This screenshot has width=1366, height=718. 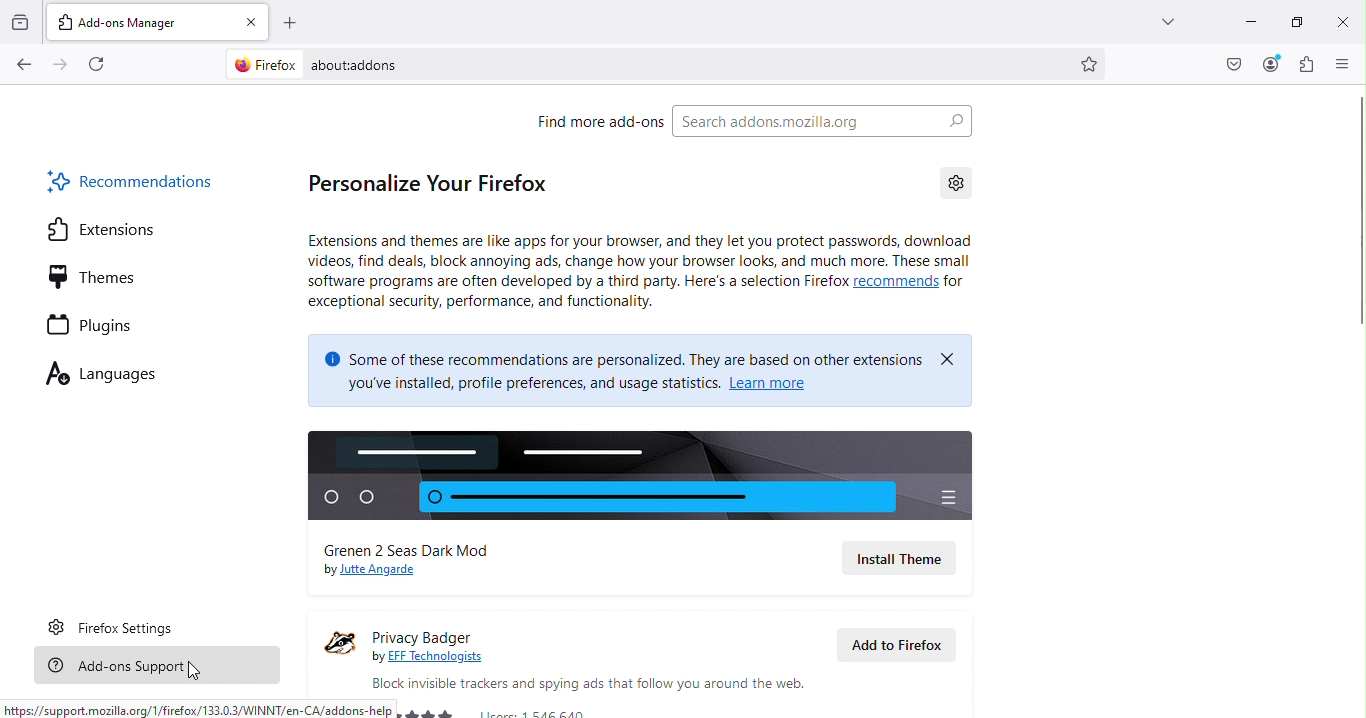 What do you see at coordinates (1094, 65) in the screenshot?
I see `Bookmark this page` at bounding box center [1094, 65].